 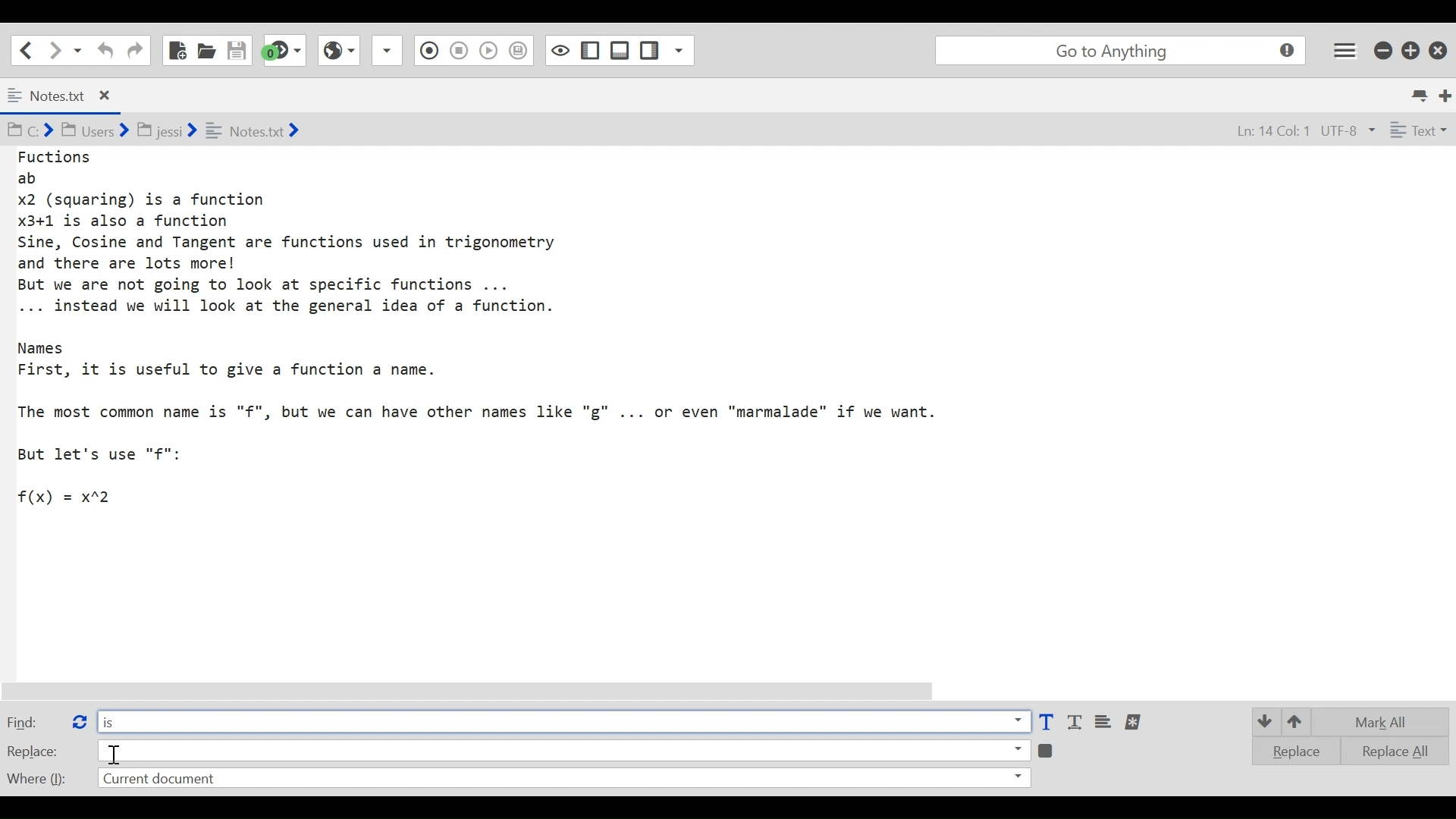 I want to click on Recent locations, so click(x=78, y=49).